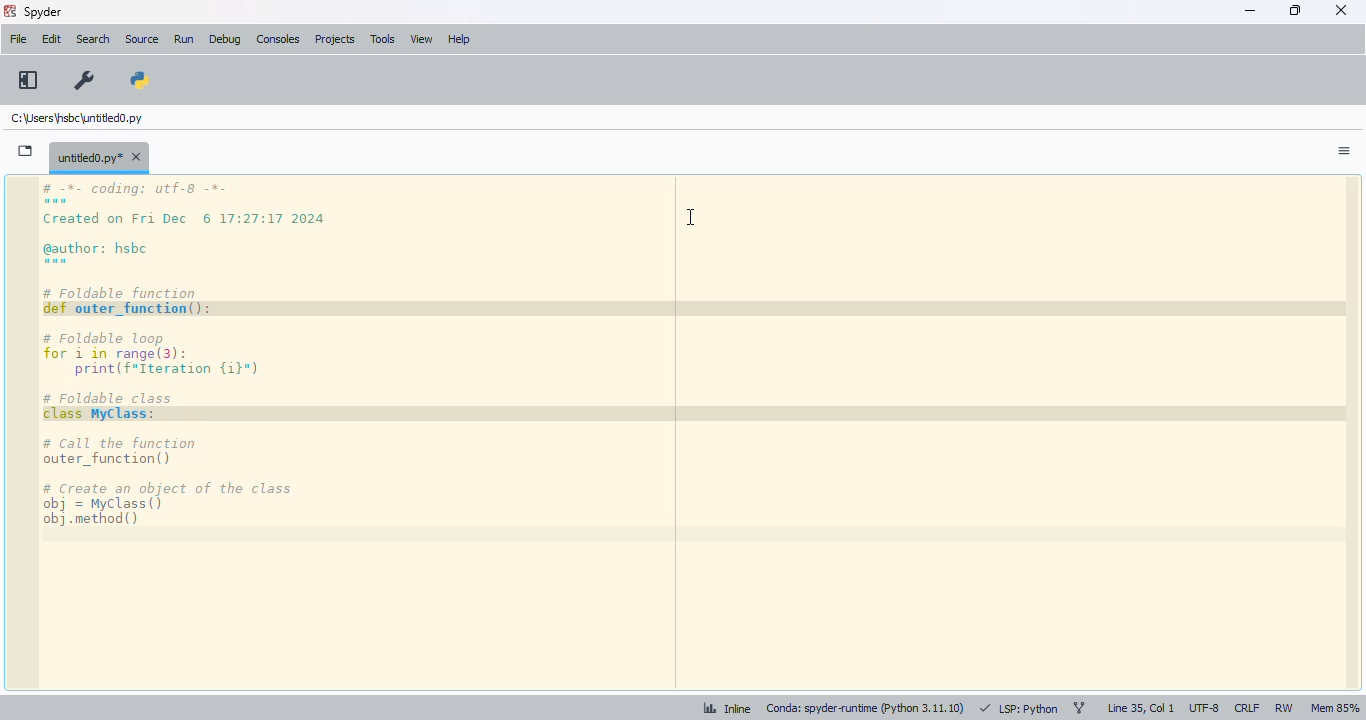 The width and height of the screenshot is (1366, 720). I want to click on inline, so click(727, 710).